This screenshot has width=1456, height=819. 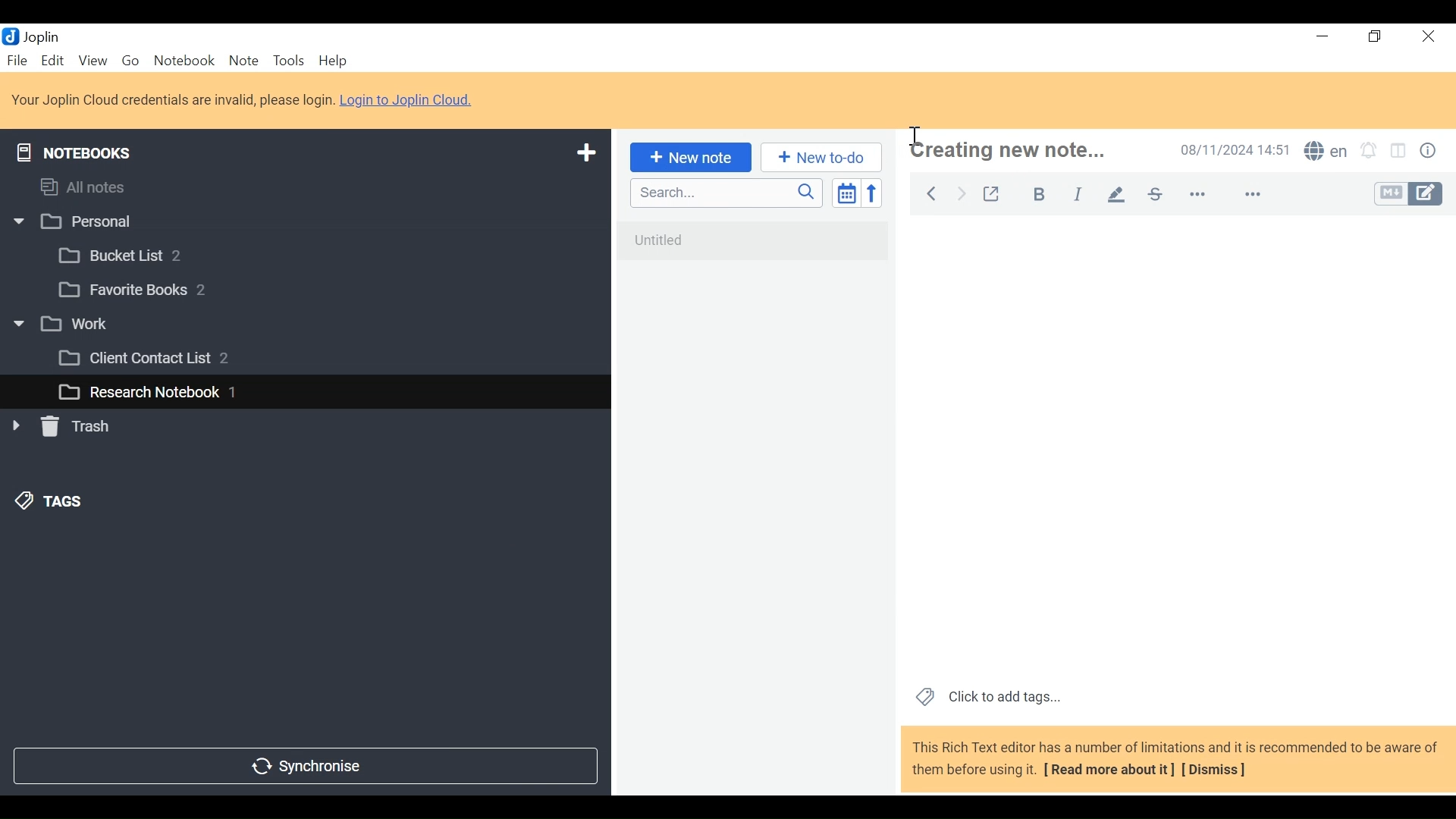 I want to click on Edit, so click(x=54, y=60).